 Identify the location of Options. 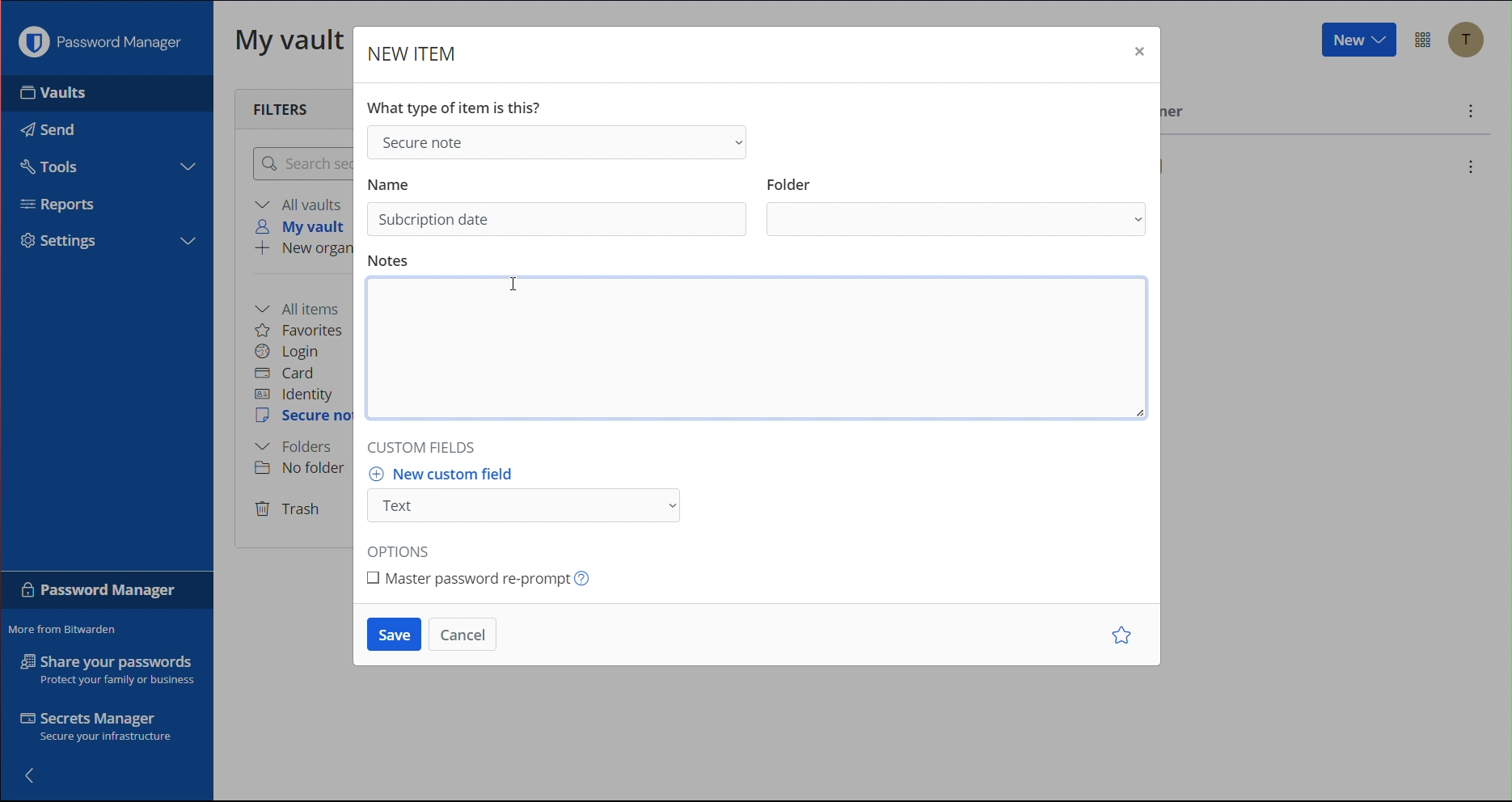
(1425, 40).